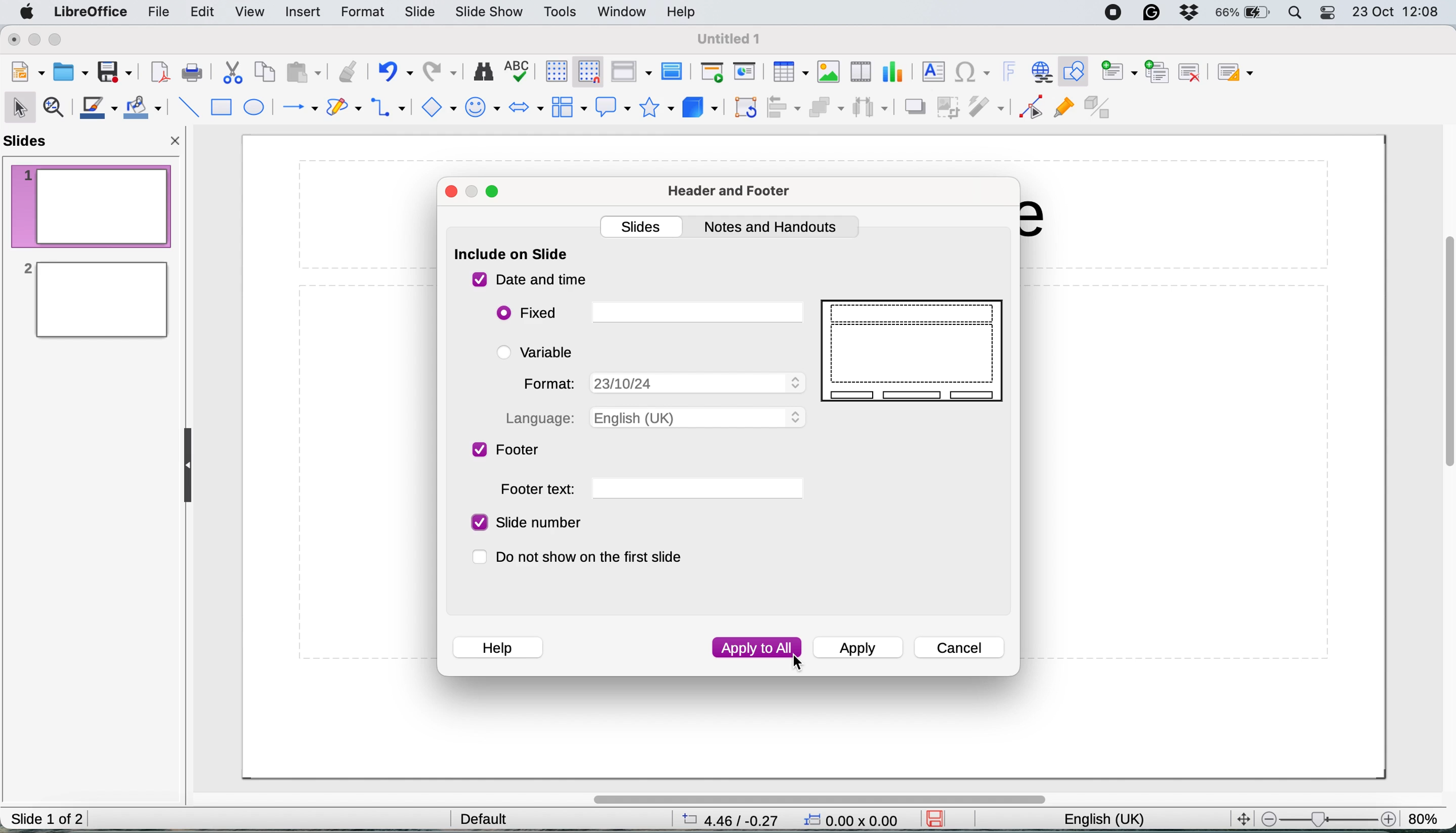 This screenshot has width=1456, height=833. I want to click on control center, so click(1329, 14).